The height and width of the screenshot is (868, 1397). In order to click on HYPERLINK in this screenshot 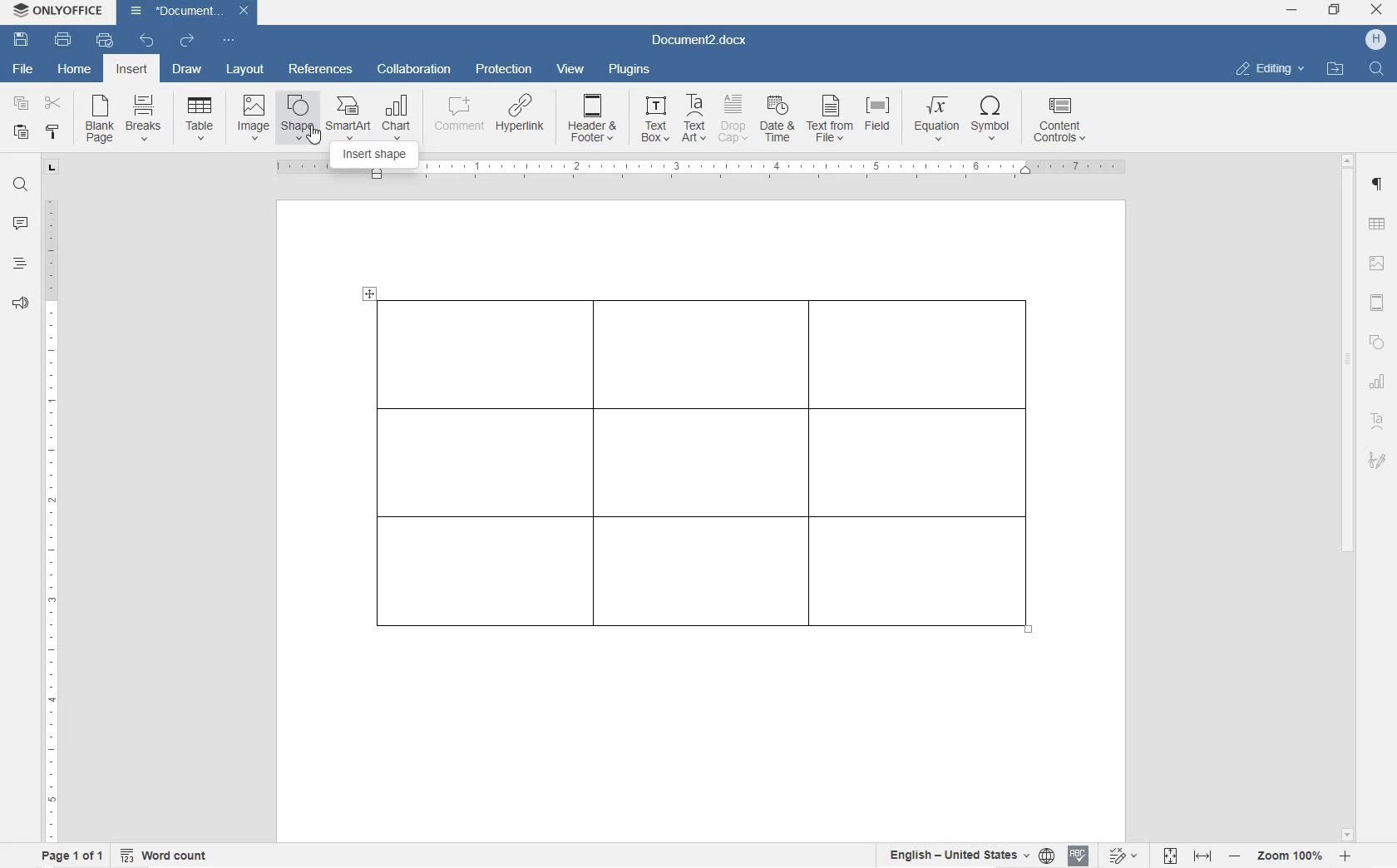, I will do `click(521, 119)`.